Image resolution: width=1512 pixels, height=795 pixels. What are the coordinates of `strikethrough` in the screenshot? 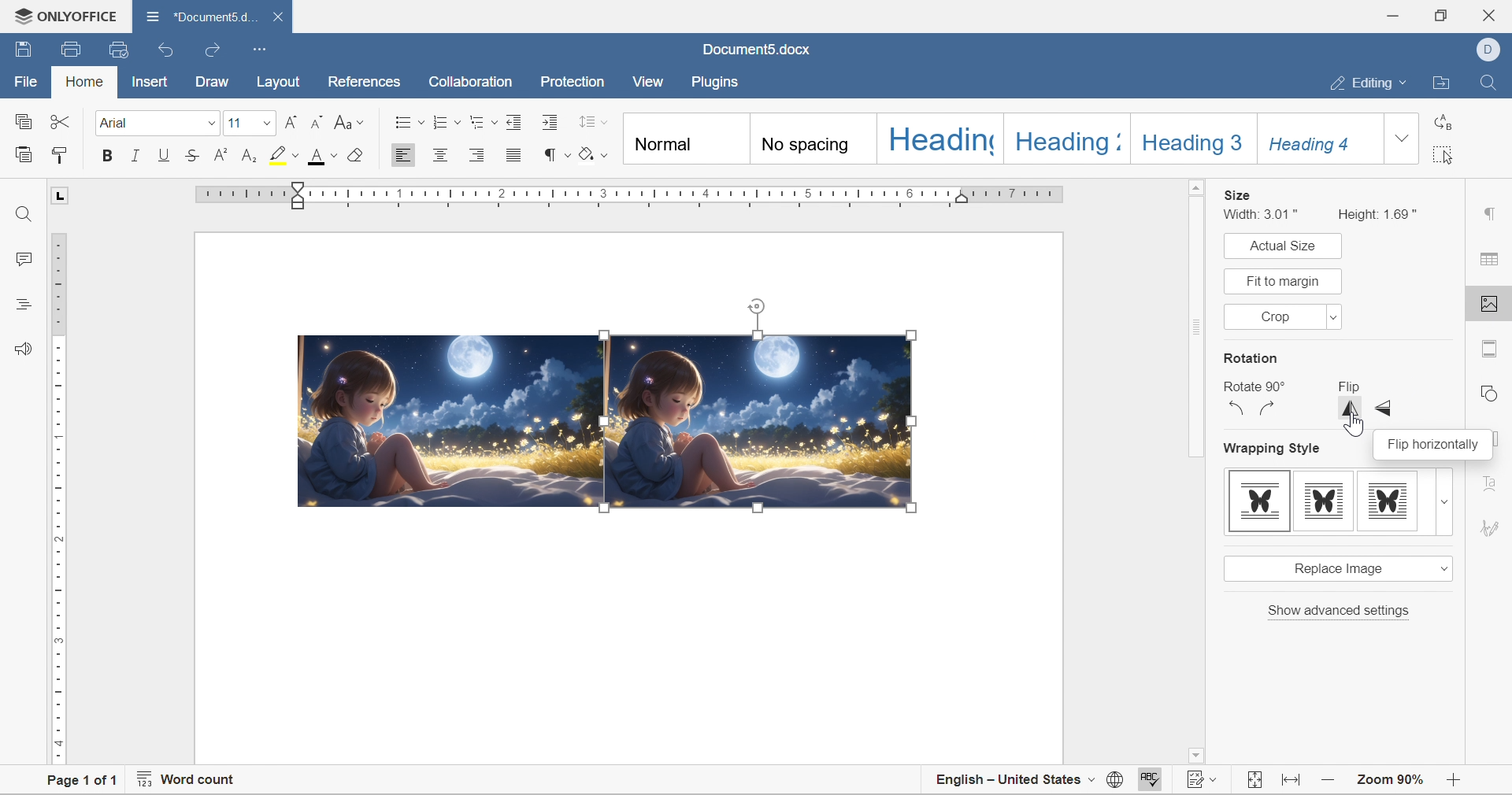 It's located at (192, 155).